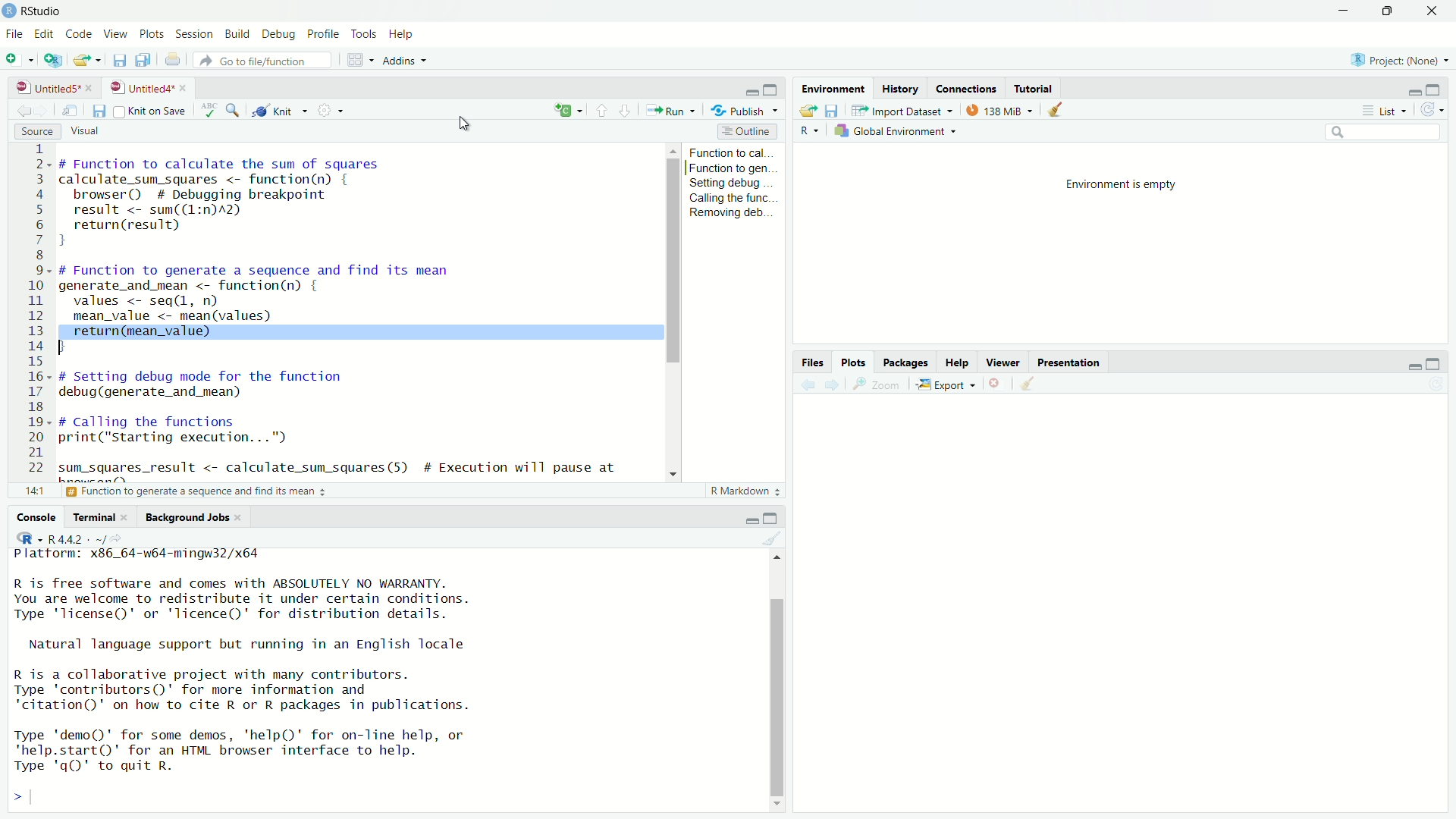  What do you see at coordinates (812, 133) in the screenshot?
I see `language select` at bounding box center [812, 133].